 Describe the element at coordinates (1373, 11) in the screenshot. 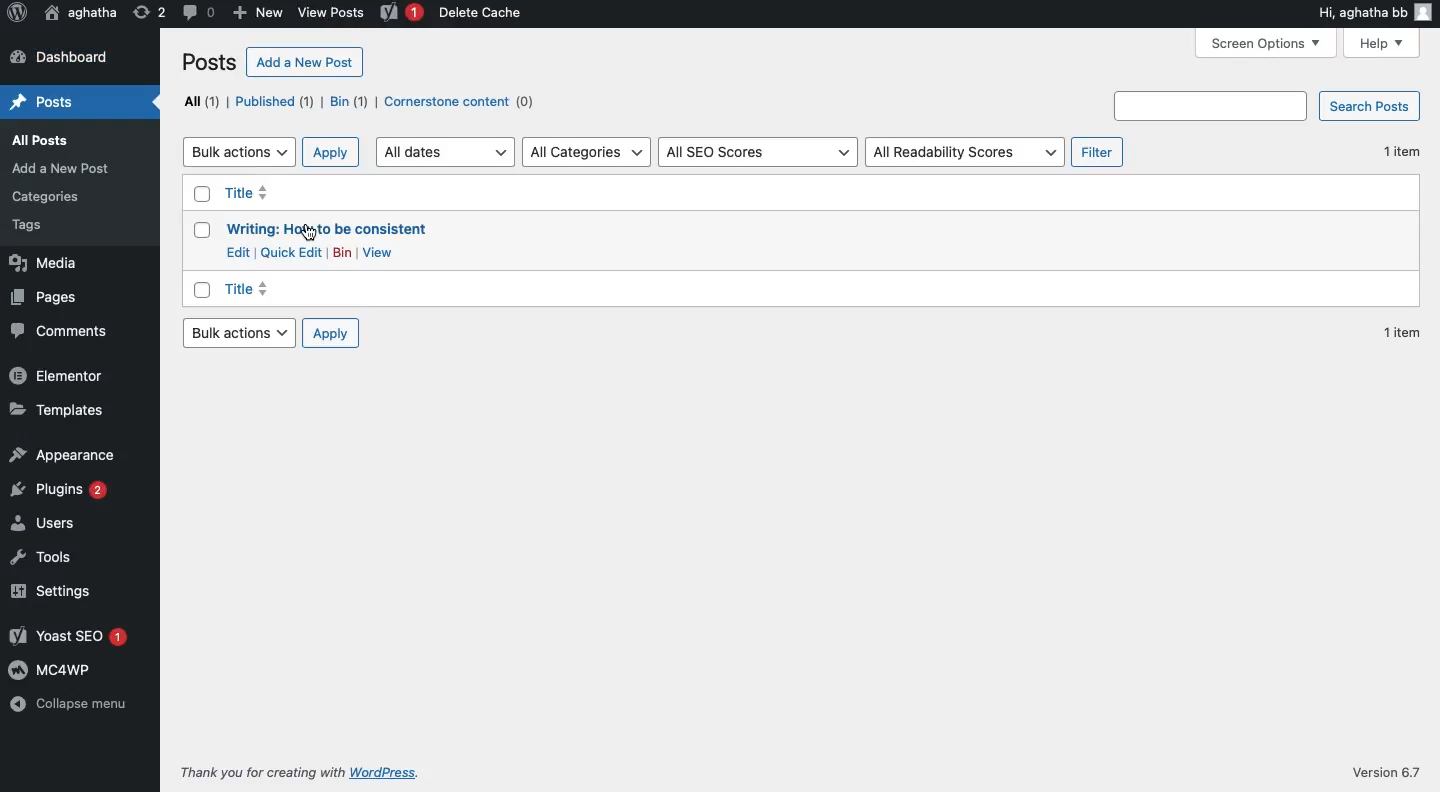

I see `Hi aghatha bb` at that location.